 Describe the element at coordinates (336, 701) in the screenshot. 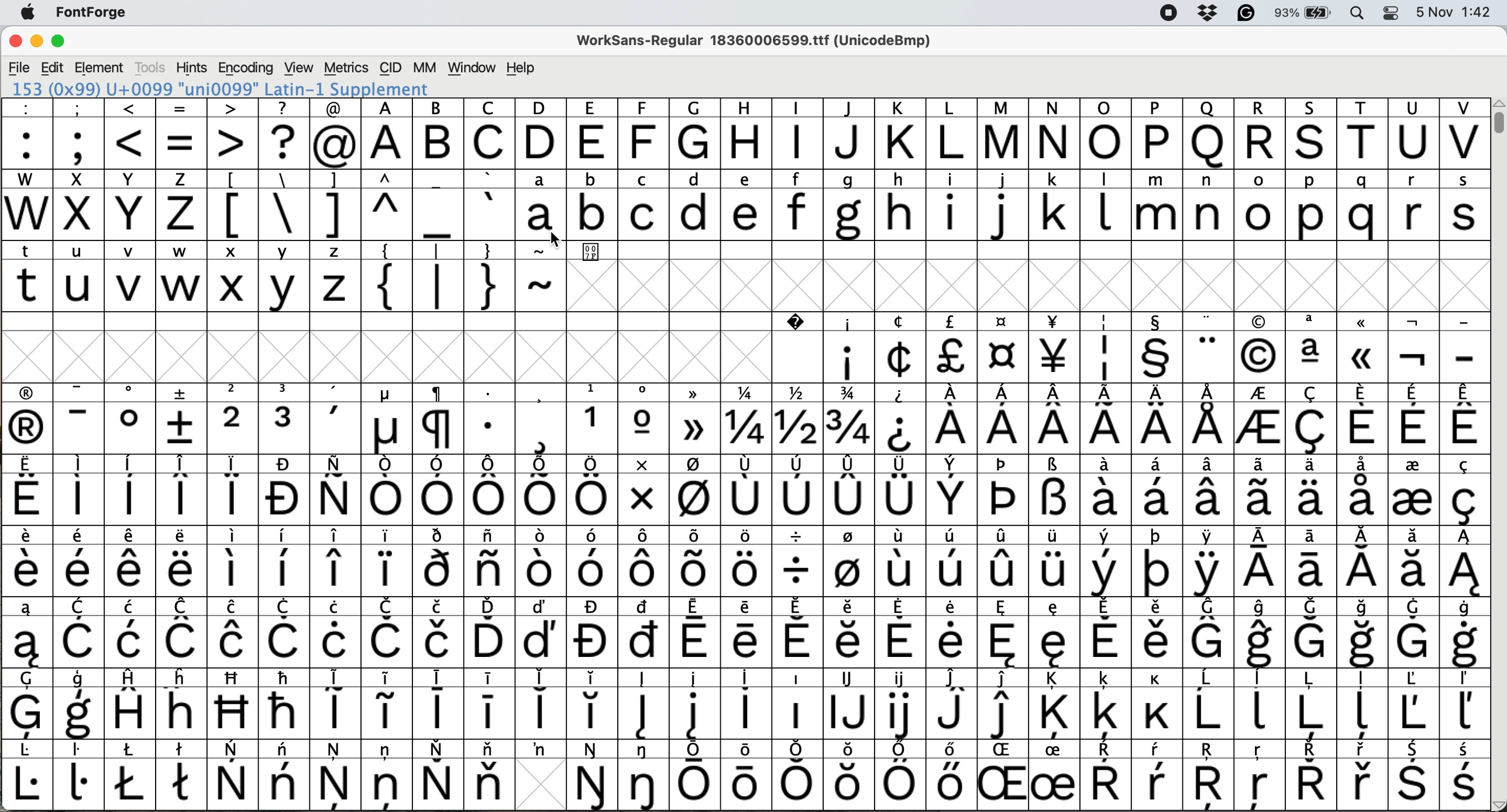

I see `symbol` at that location.